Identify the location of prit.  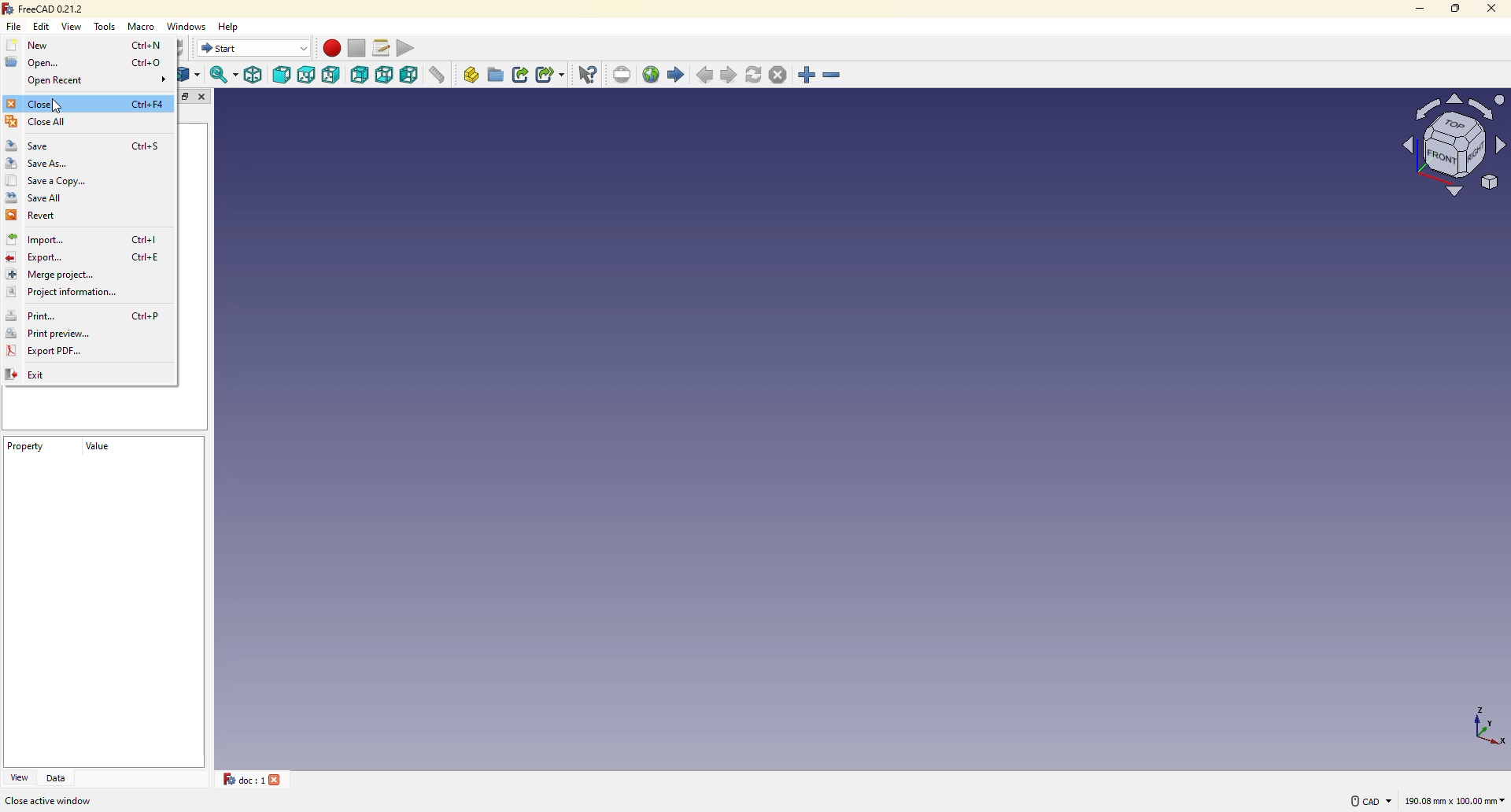
(38, 316).